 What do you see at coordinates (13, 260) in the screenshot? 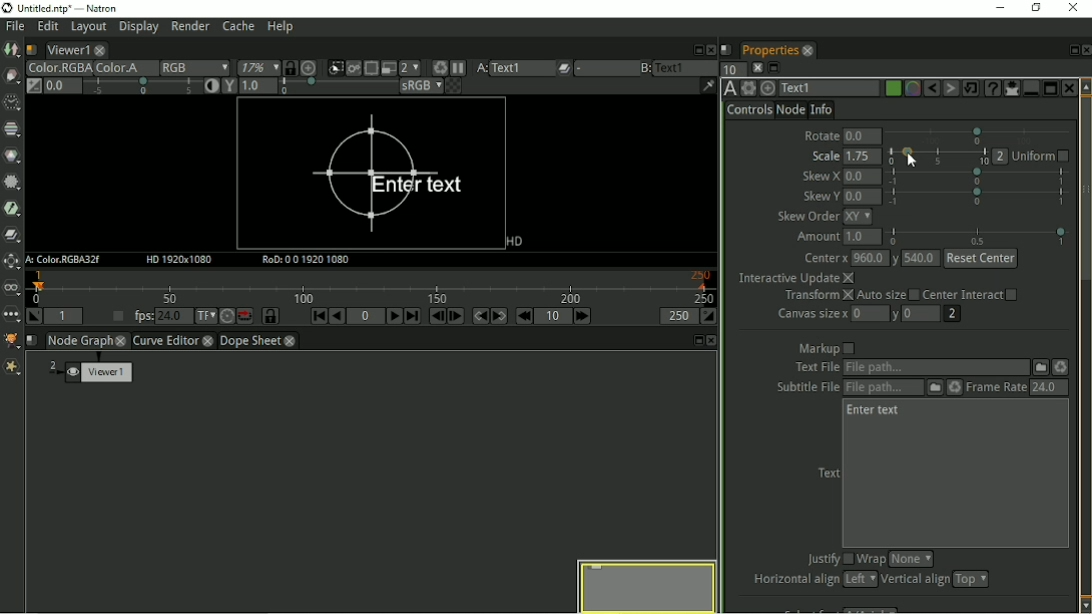
I see `Transform` at bounding box center [13, 260].